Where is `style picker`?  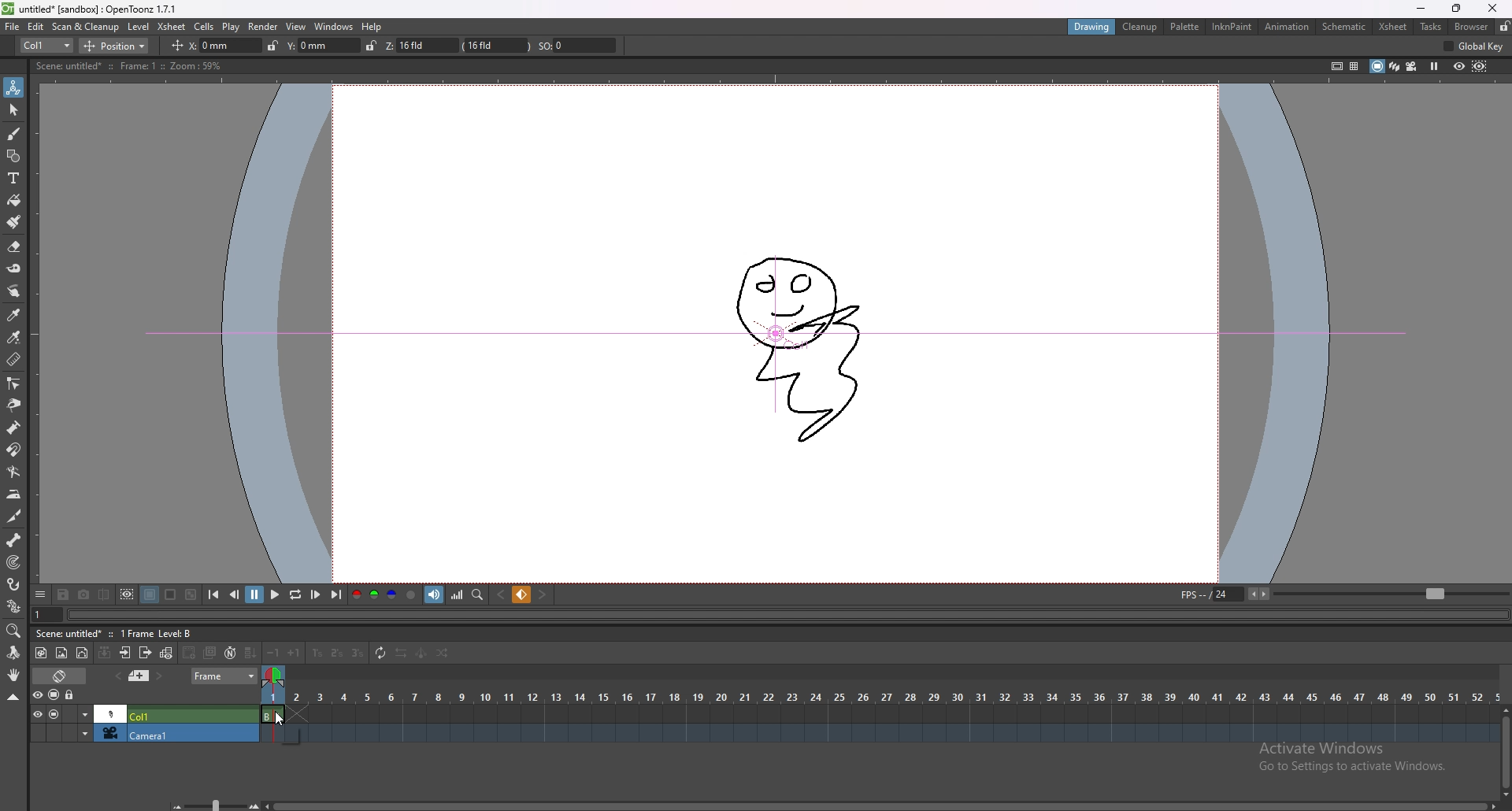
style picker is located at coordinates (14, 314).